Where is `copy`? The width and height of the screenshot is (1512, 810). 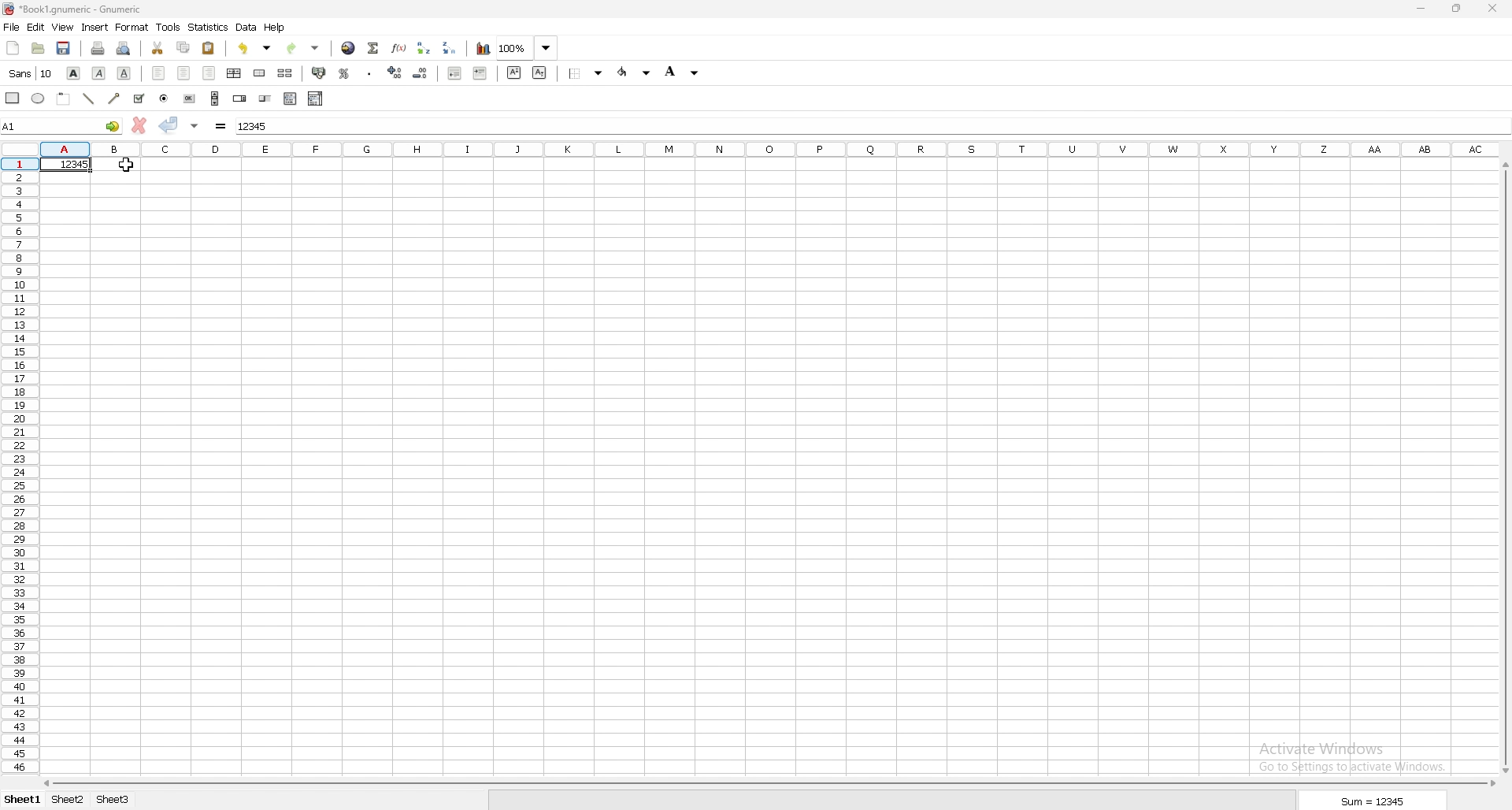 copy is located at coordinates (183, 48).